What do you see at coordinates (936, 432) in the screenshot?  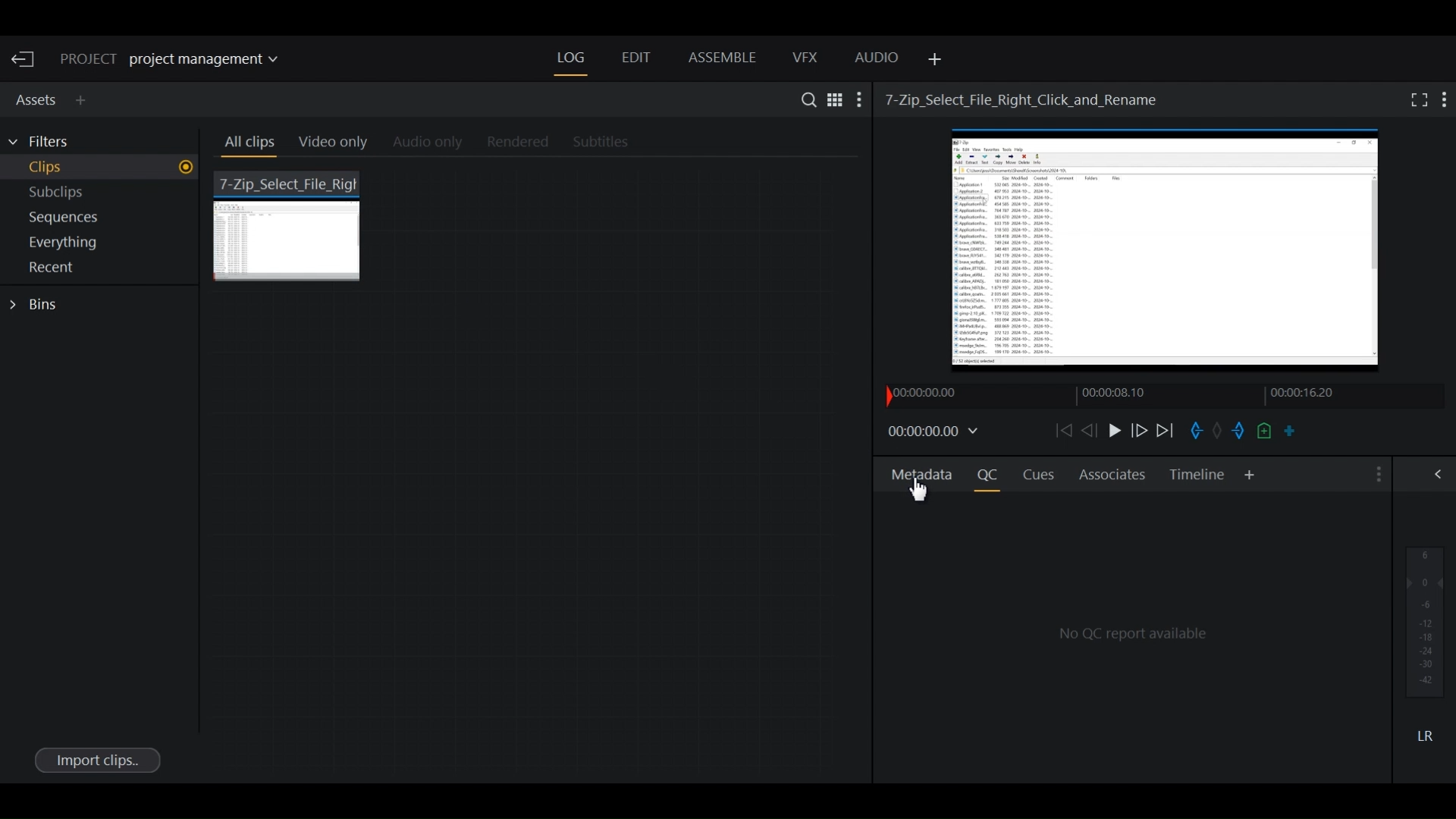 I see `Timecodes and reels` at bounding box center [936, 432].